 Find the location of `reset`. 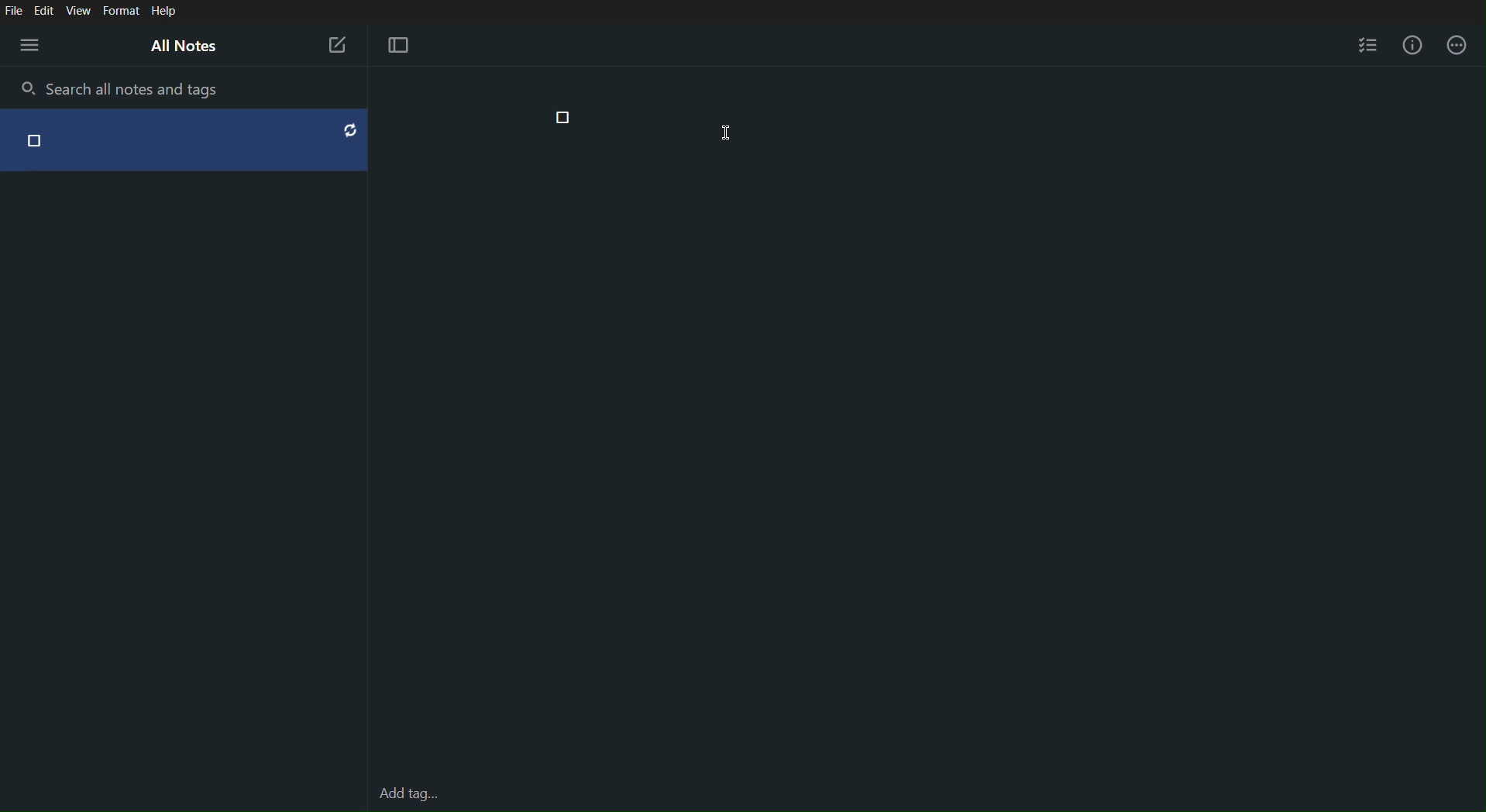

reset is located at coordinates (350, 129).